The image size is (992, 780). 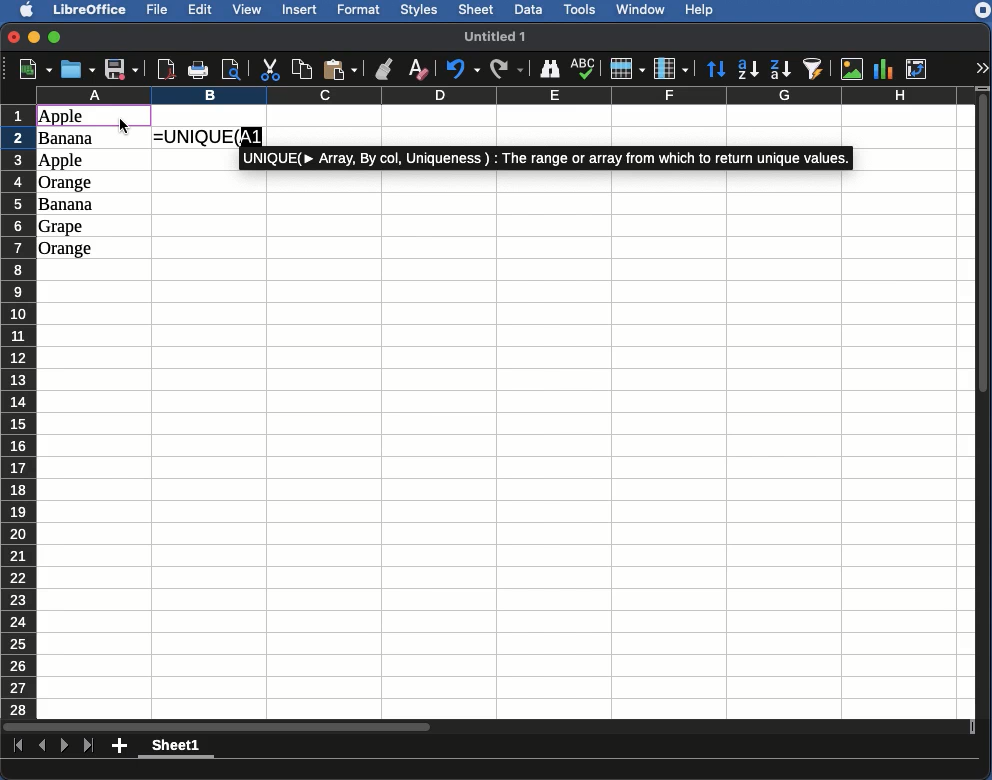 I want to click on Spell check, so click(x=583, y=69).